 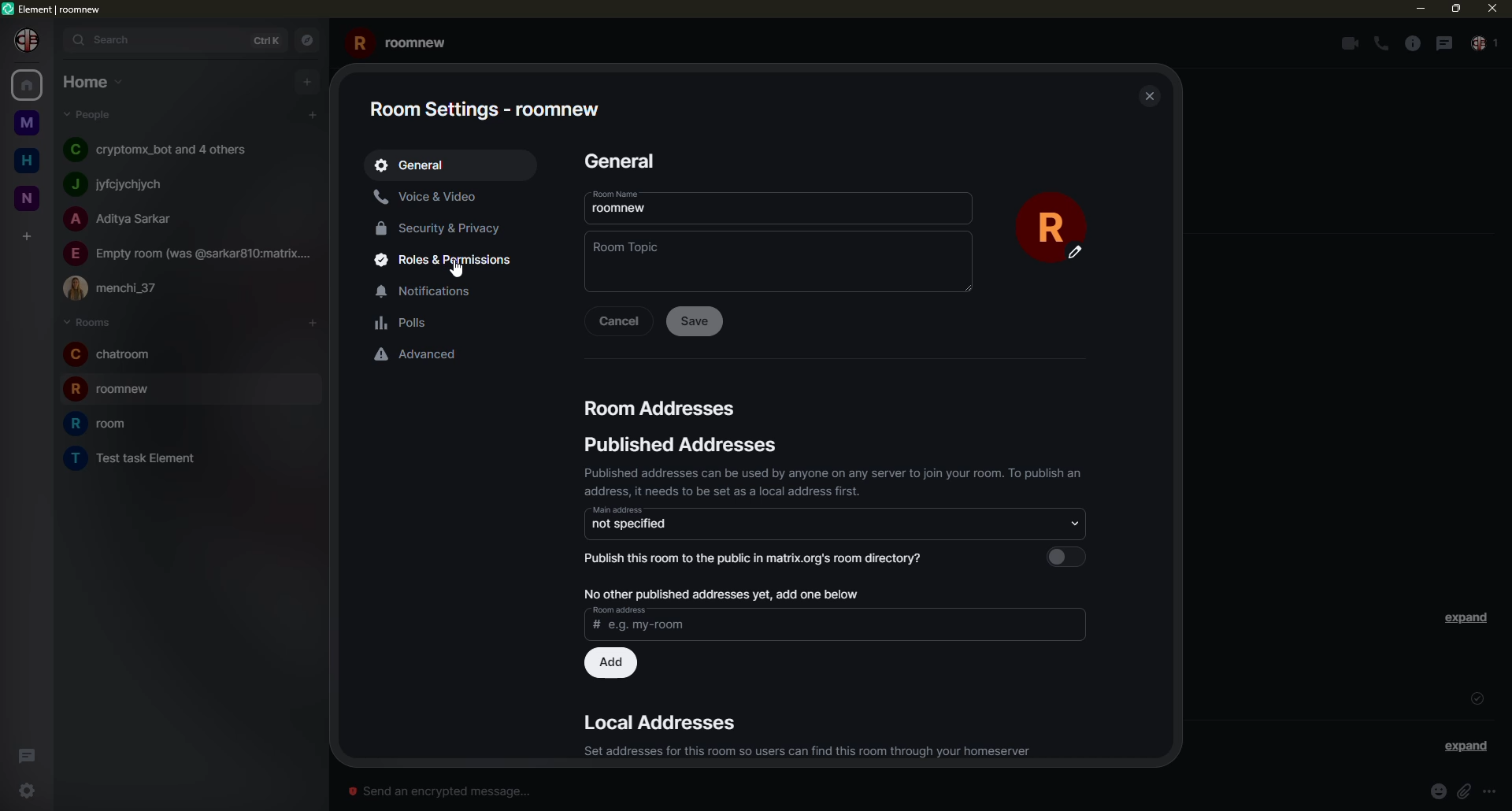 What do you see at coordinates (1469, 617) in the screenshot?
I see `expand` at bounding box center [1469, 617].